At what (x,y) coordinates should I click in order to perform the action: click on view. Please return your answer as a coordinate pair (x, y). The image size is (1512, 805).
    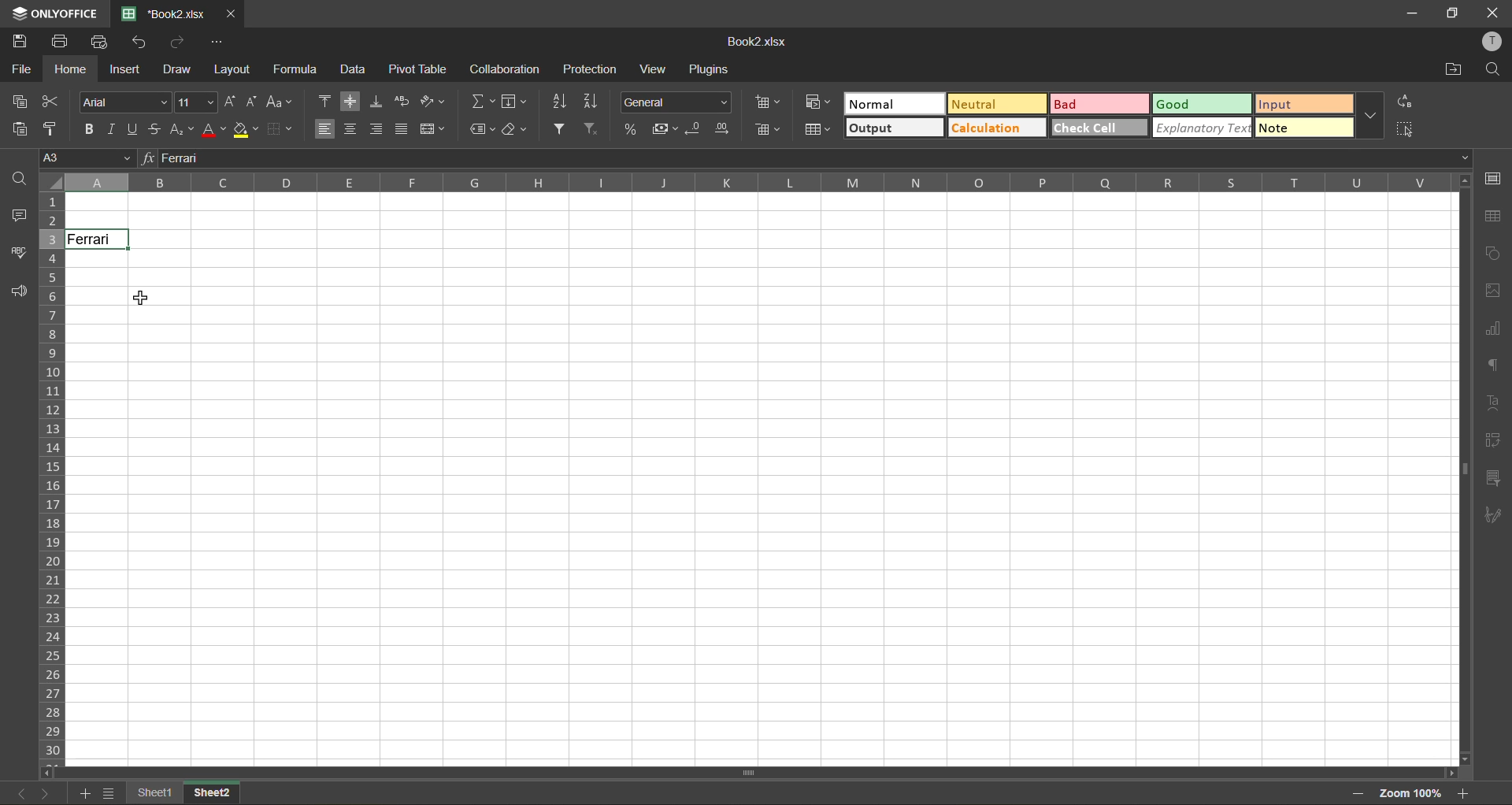
    Looking at the image, I should click on (657, 69).